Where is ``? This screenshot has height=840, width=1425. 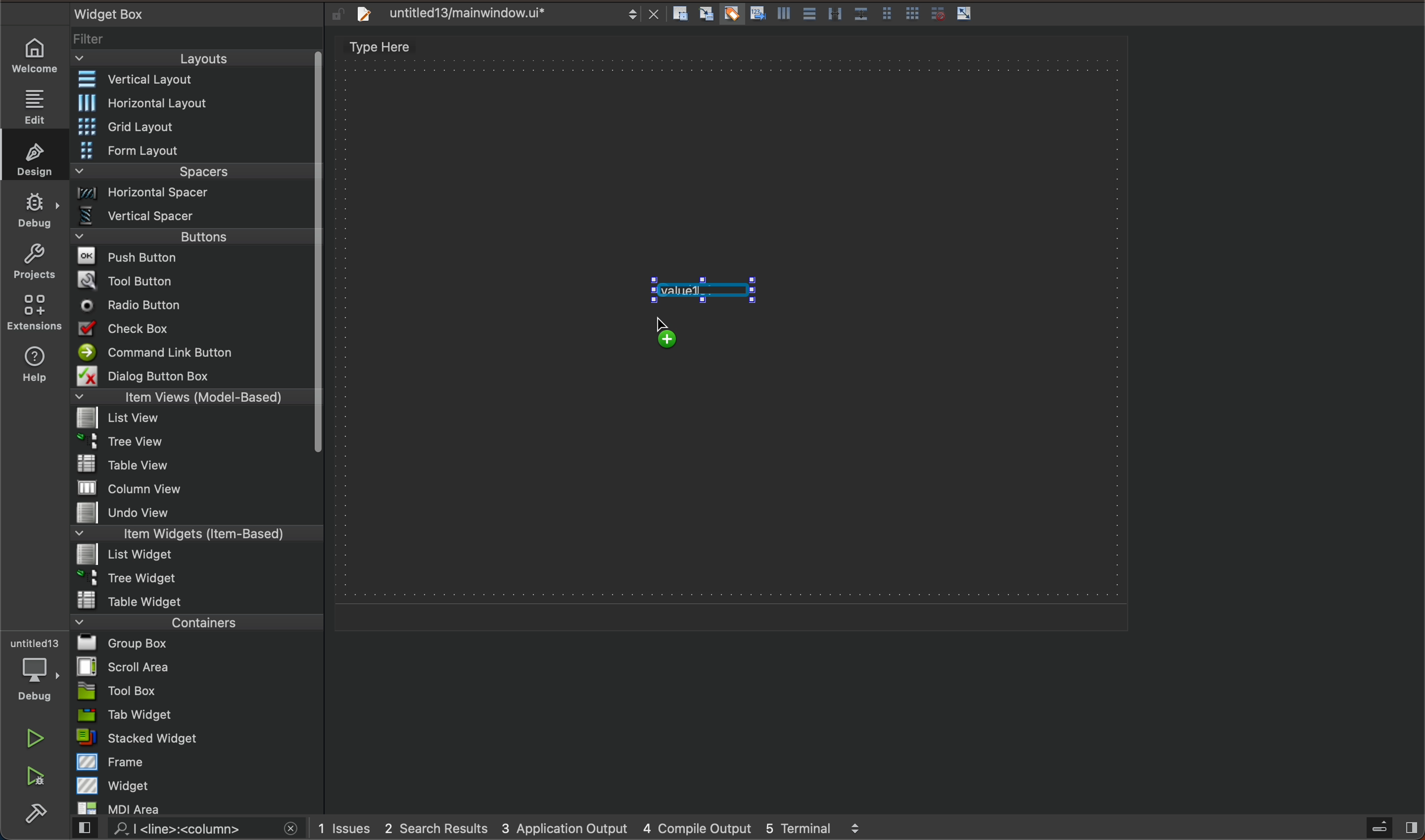  is located at coordinates (756, 15).